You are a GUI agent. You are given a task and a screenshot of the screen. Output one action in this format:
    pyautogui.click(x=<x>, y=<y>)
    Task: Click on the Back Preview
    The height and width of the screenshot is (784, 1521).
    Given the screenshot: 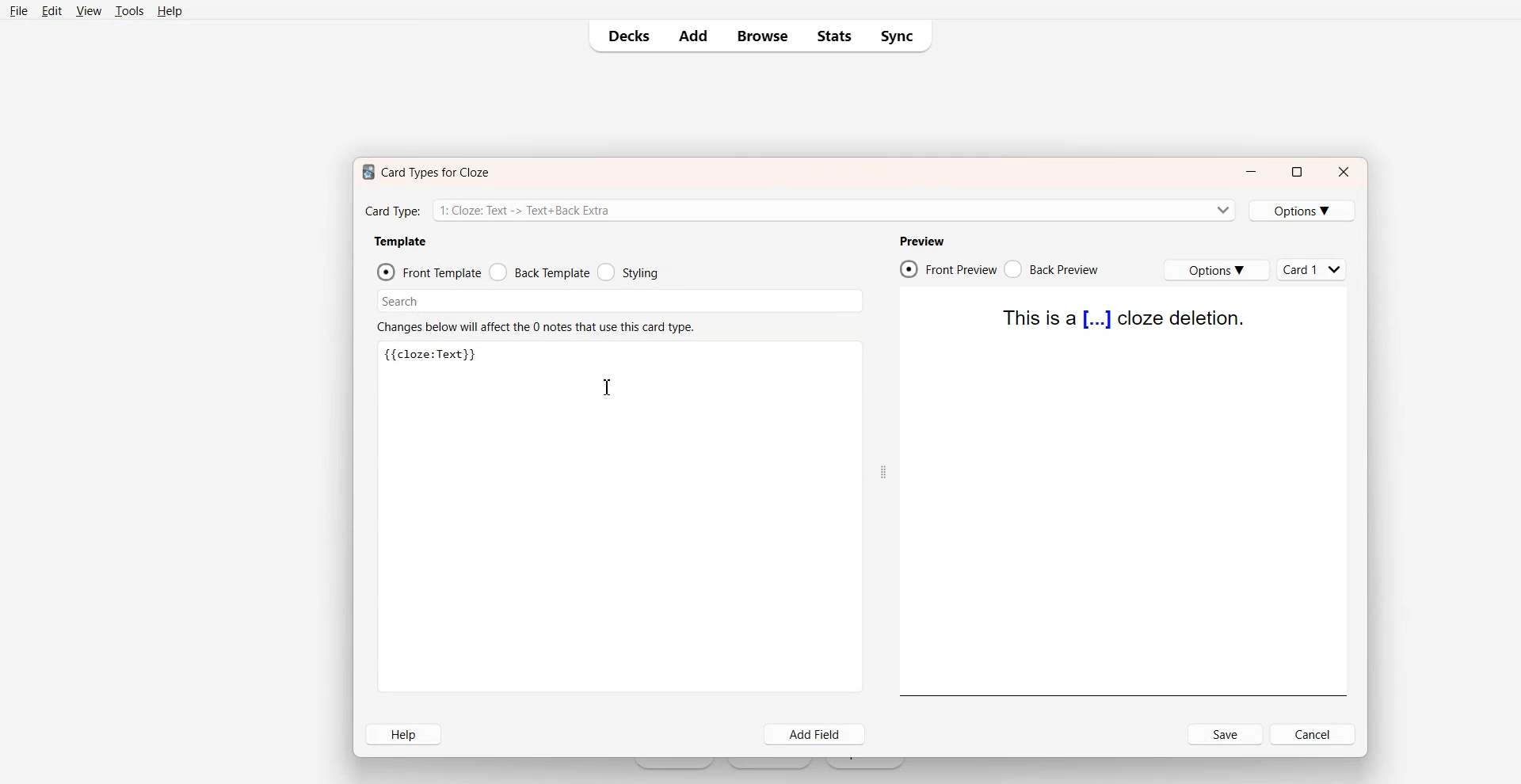 What is the action you would take?
    pyautogui.click(x=1054, y=269)
    